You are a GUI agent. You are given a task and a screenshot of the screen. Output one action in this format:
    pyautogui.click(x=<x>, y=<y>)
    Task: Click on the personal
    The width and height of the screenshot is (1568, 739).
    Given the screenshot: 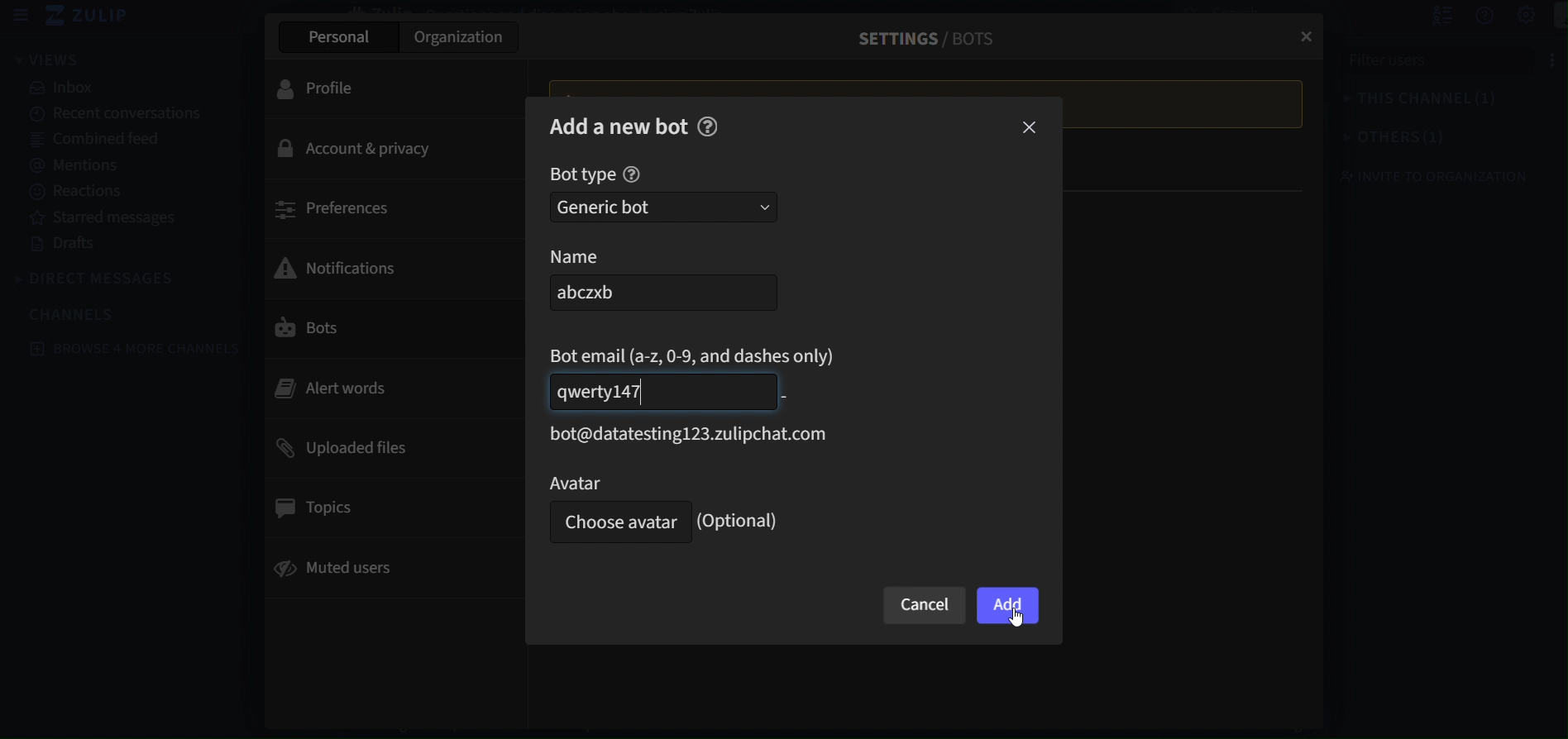 What is the action you would take?
    pyautogui.click(x=336, y=37)
    